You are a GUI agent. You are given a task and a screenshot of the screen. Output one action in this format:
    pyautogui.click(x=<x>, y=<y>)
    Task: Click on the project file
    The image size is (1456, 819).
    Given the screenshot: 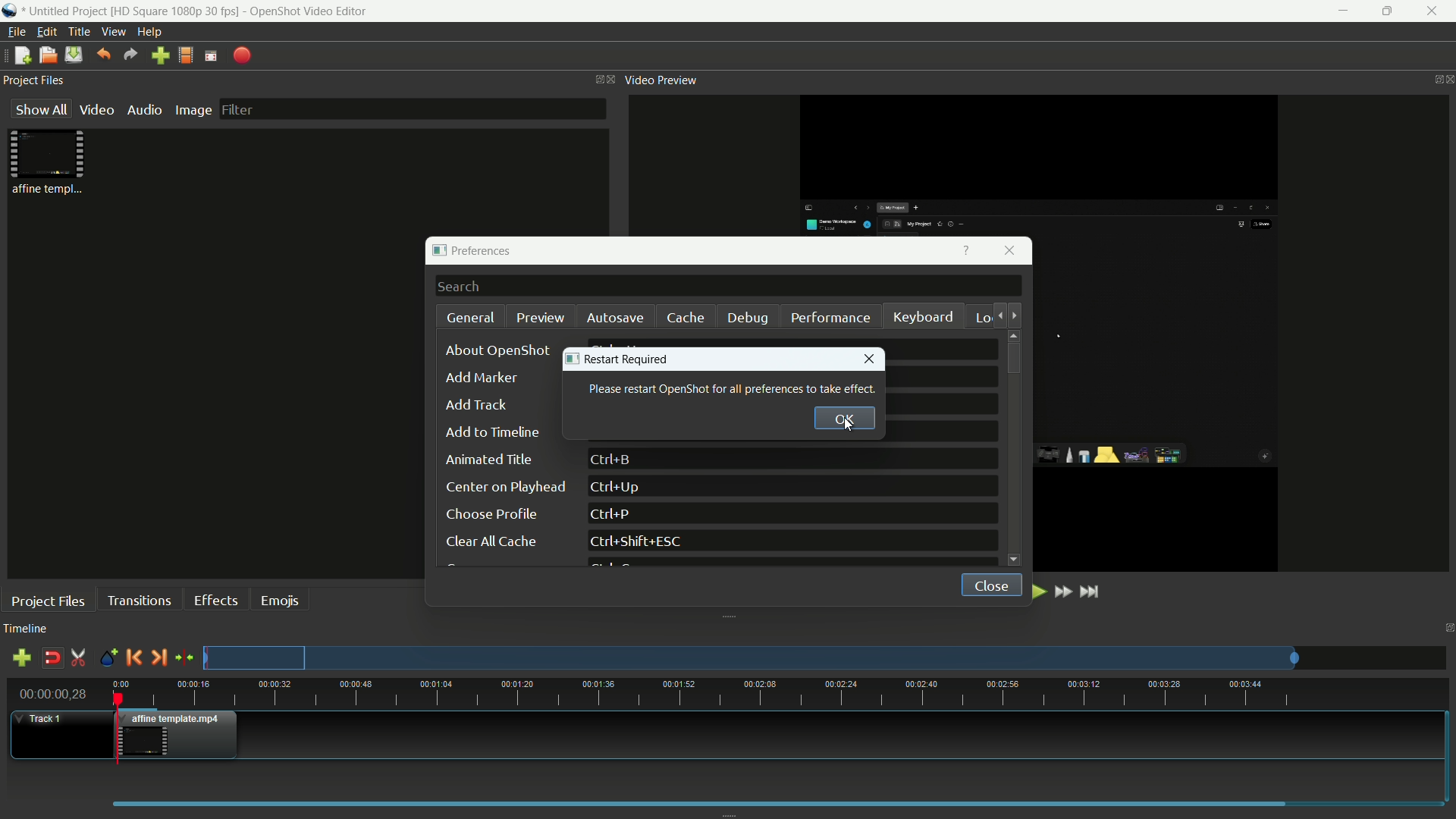 What is the action you would take?
    pyautogui.click(x=49, y=162)
    